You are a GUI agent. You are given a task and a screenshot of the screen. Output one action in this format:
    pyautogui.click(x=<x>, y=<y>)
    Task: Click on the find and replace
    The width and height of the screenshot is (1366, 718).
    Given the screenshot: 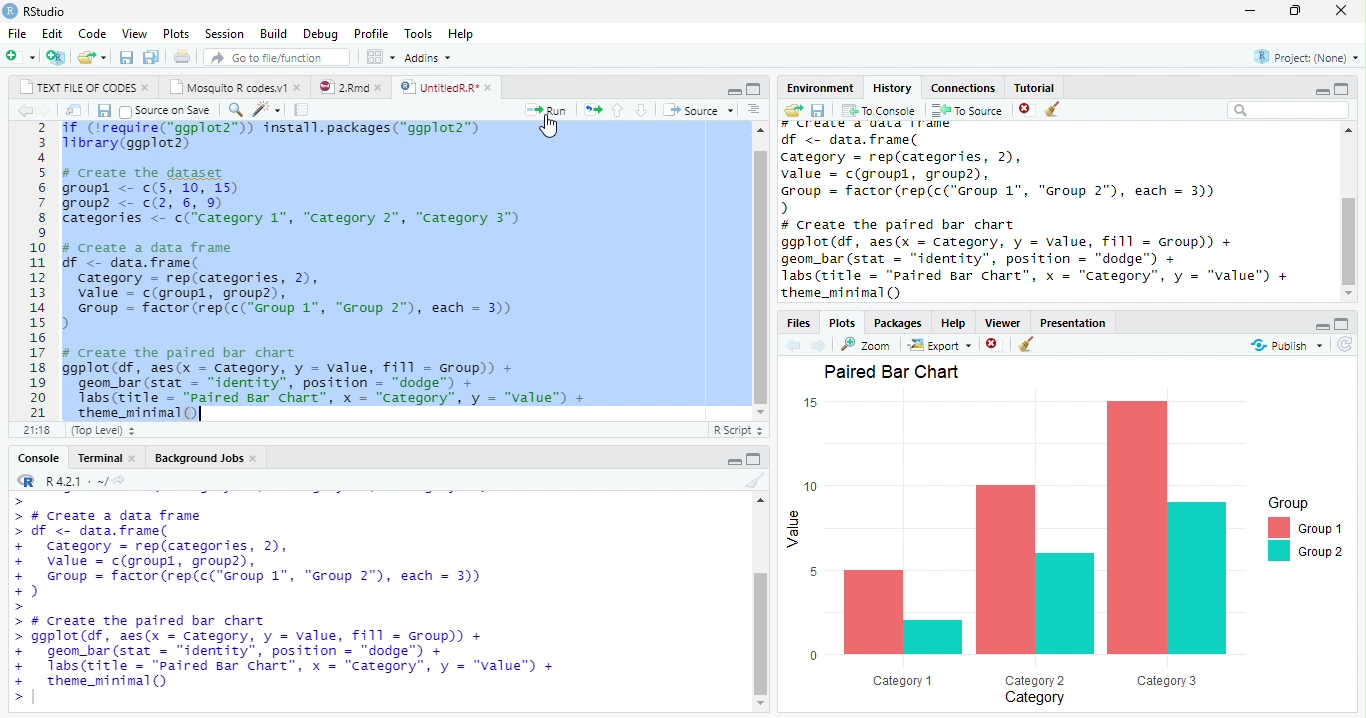 What is the action you would take?
    pyautogui.click(x=234, y=109)
    